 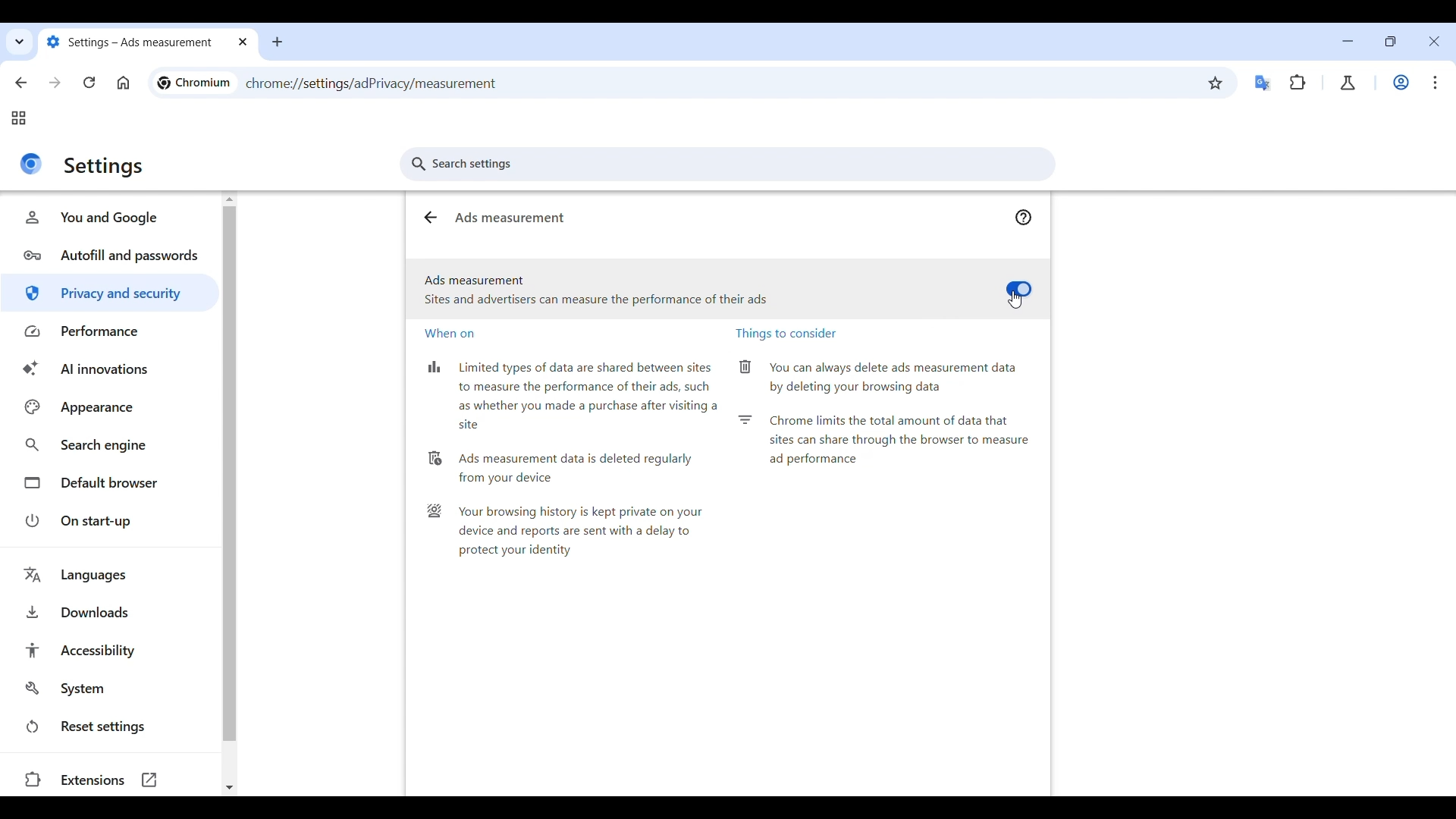 What do you see at coordinates (109, 726) in the screenshot?
I see `Reset settings` at bounding box center [109, 726].